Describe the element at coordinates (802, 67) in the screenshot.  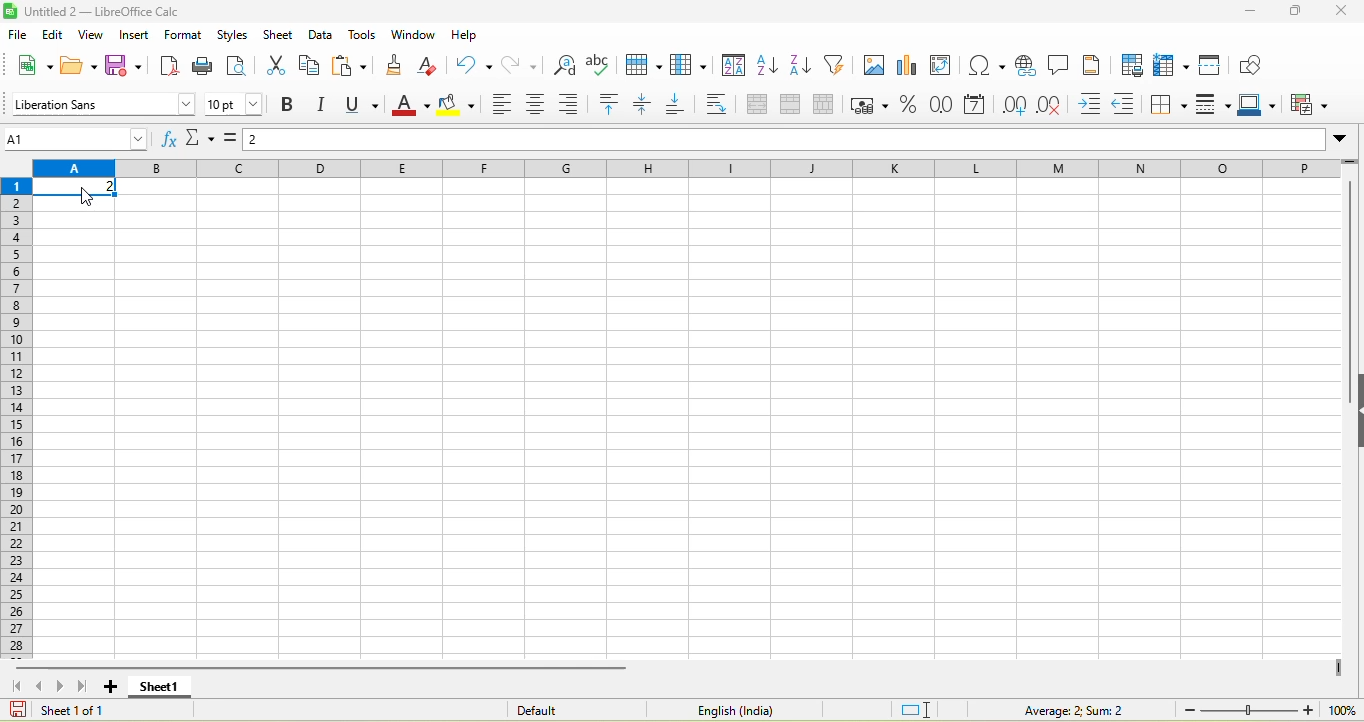
I see `sort descending` at that location.